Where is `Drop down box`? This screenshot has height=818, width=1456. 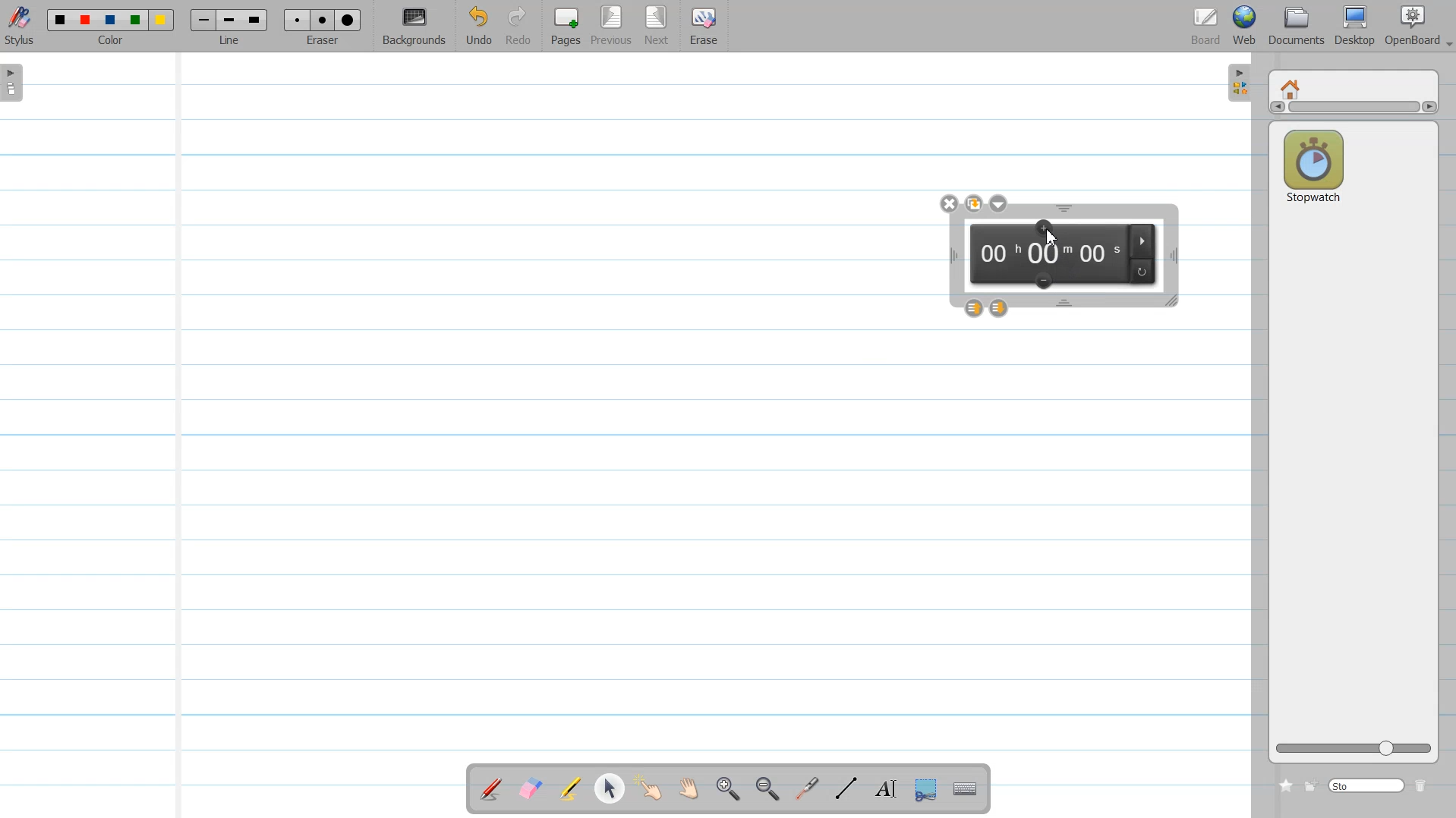
Drop down box is located at coordinates (1447, 38).